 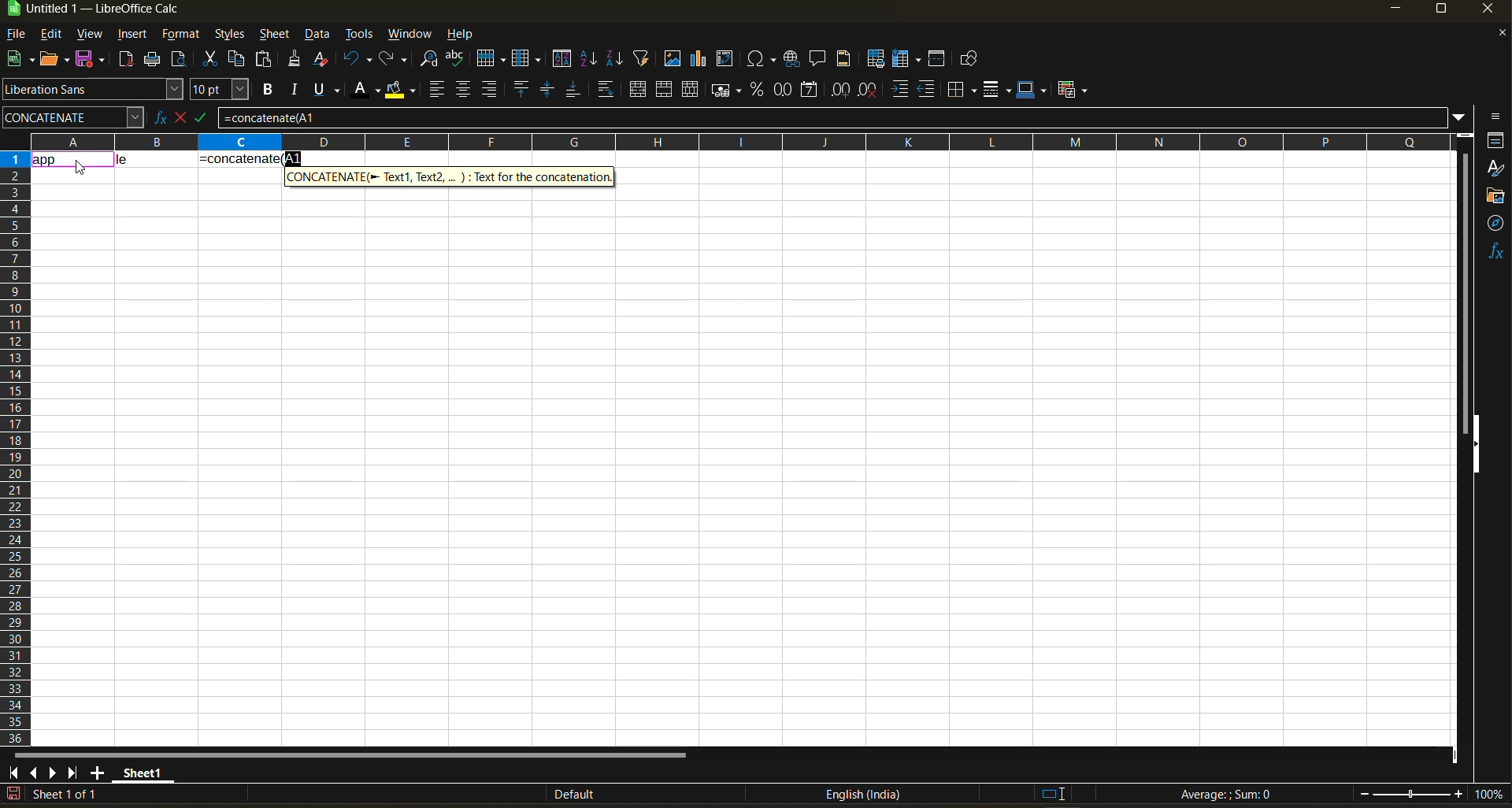 What do you see at coordinates (34, 772) in the screenshot?
I see `scroll to previous sheet` at bounding box center [34, 772].